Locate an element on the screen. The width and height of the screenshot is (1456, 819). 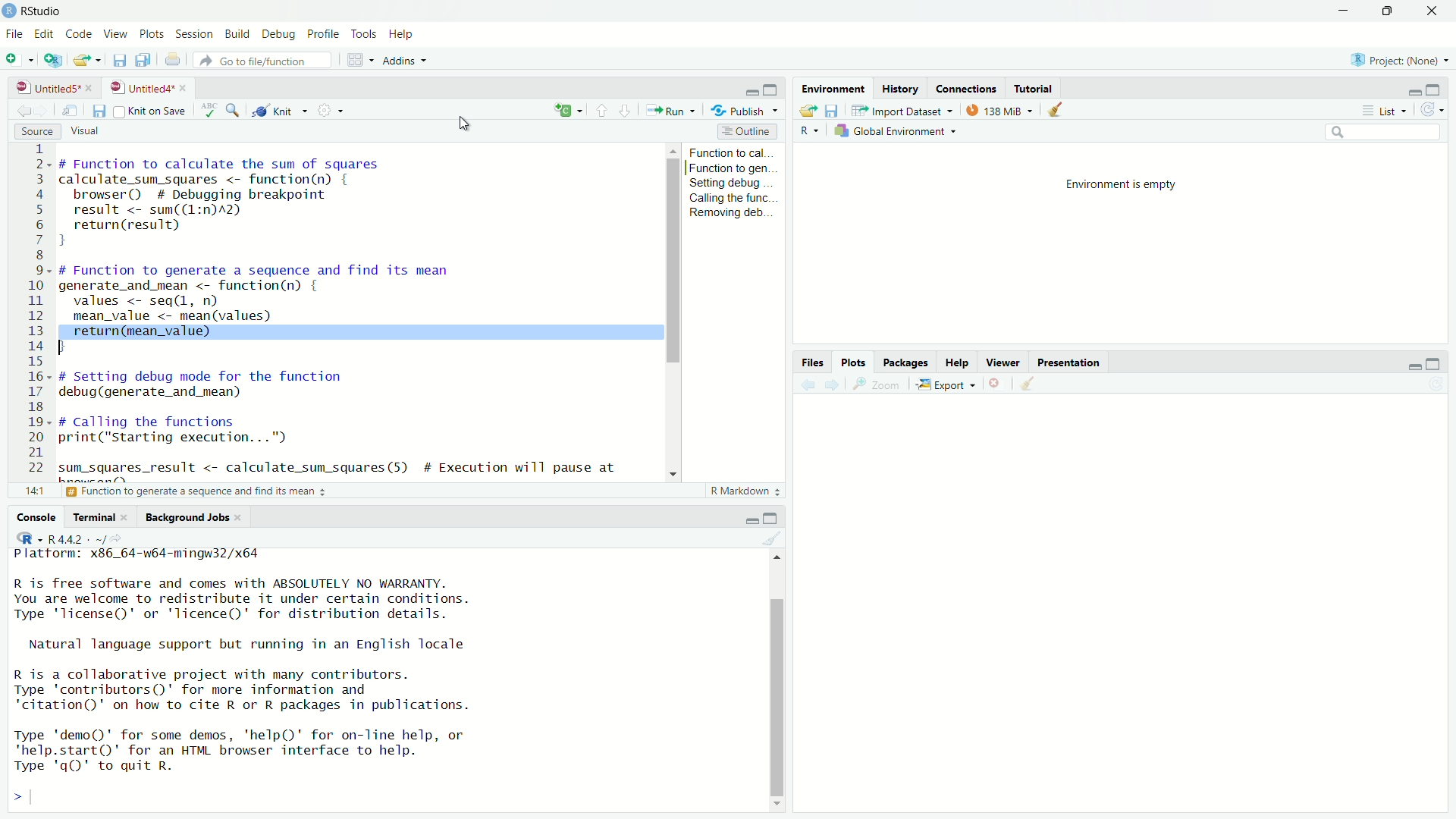
move down is located at coordinates (672, 472).